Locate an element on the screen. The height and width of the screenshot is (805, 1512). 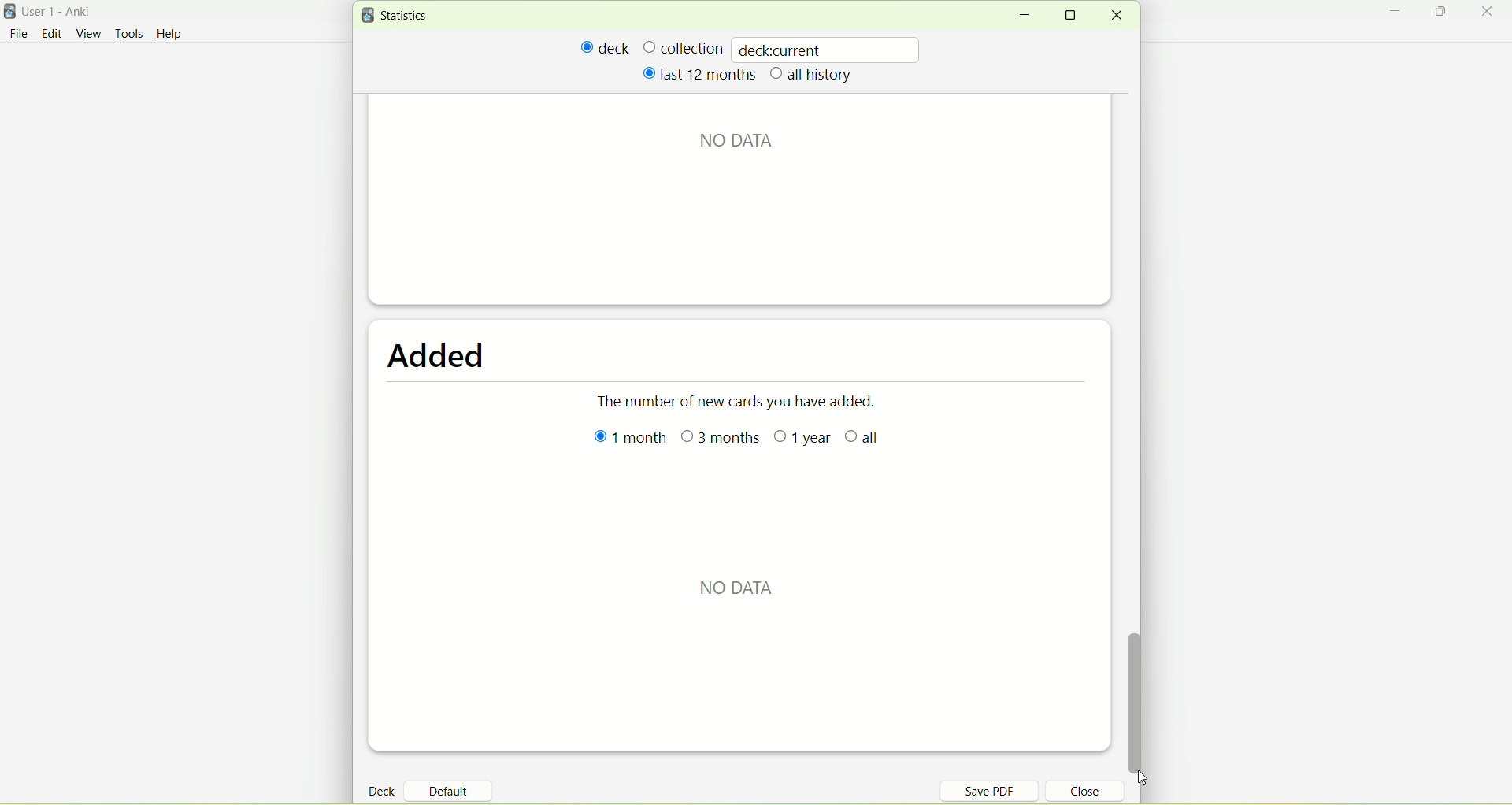
close is located at coordinates (1490, 13).